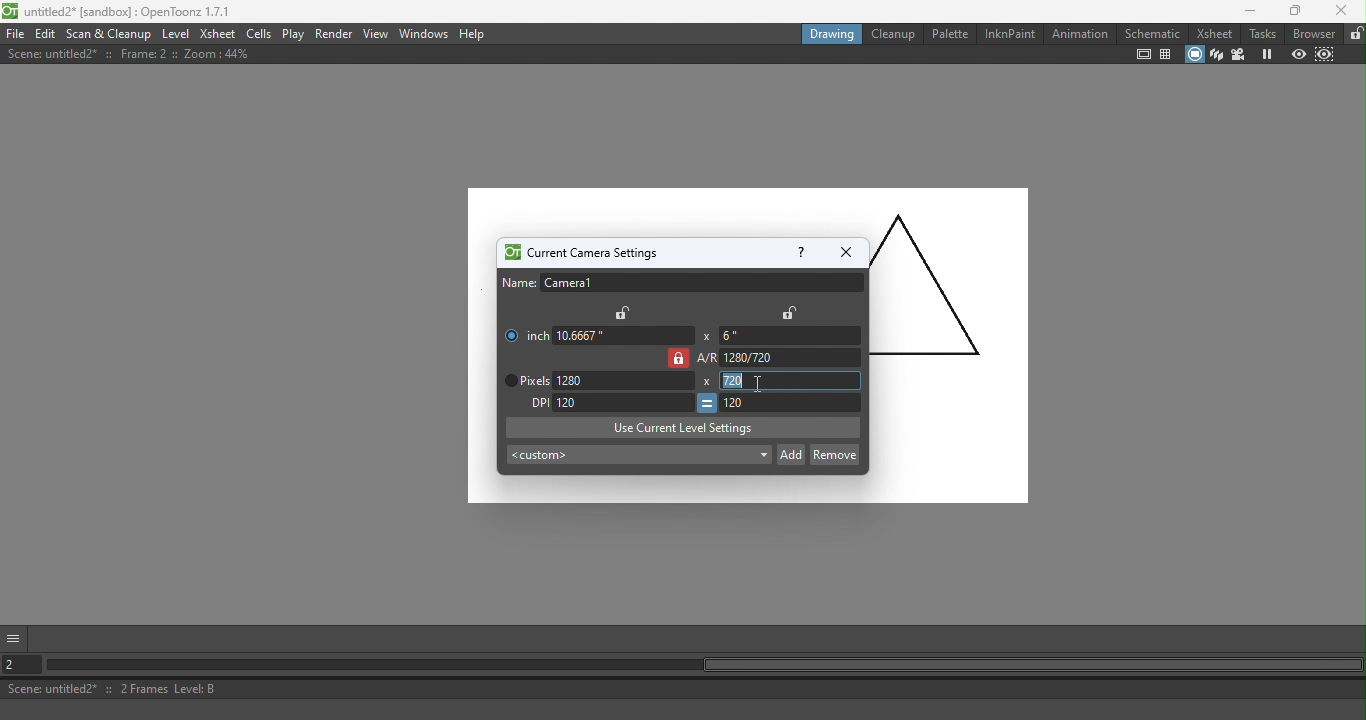  Describe the element at coordinates (109, 33) in the screenshot. I see `Scan & Cleanup` at that location.